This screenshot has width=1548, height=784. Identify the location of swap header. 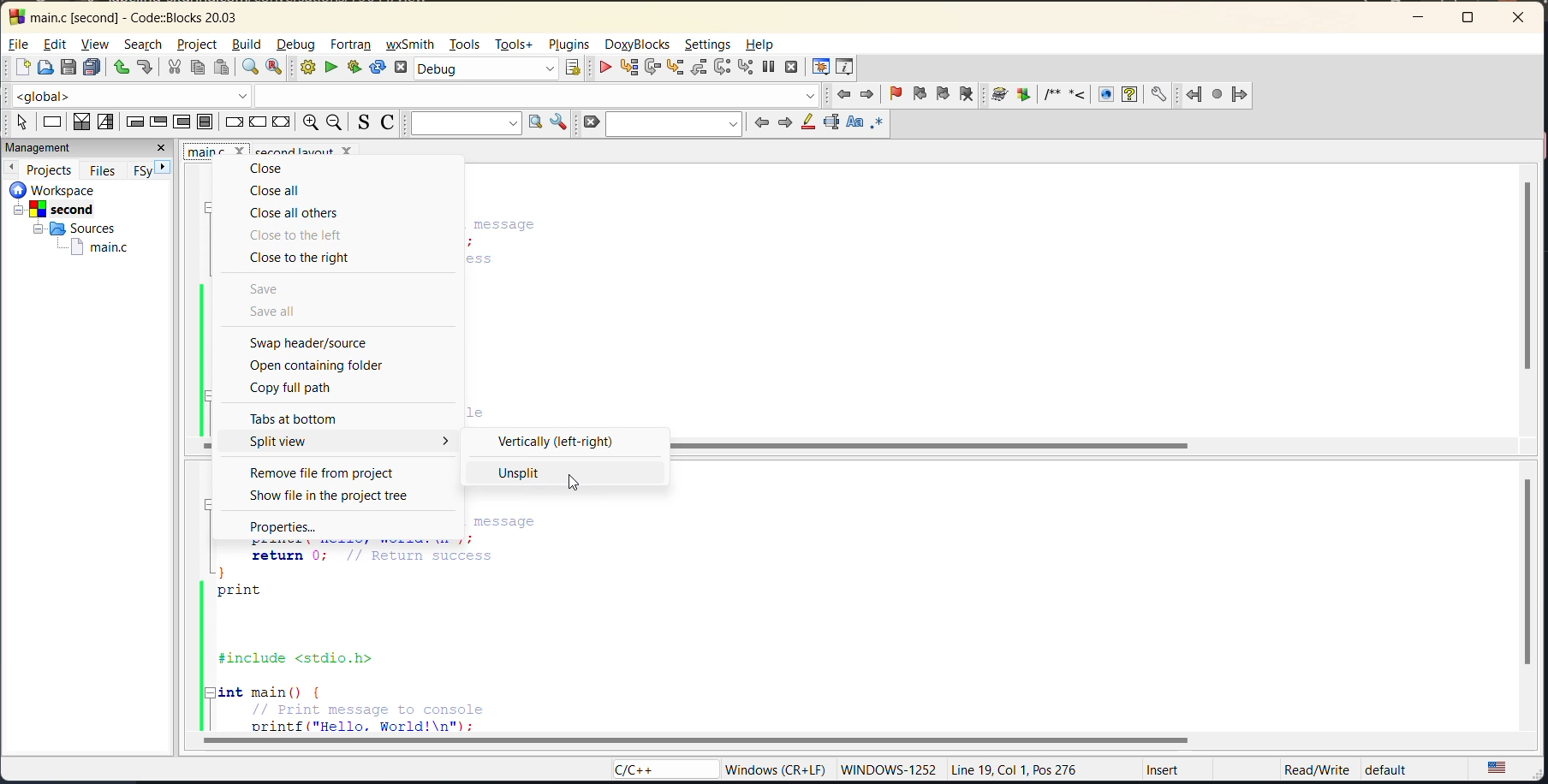
(318, 343).